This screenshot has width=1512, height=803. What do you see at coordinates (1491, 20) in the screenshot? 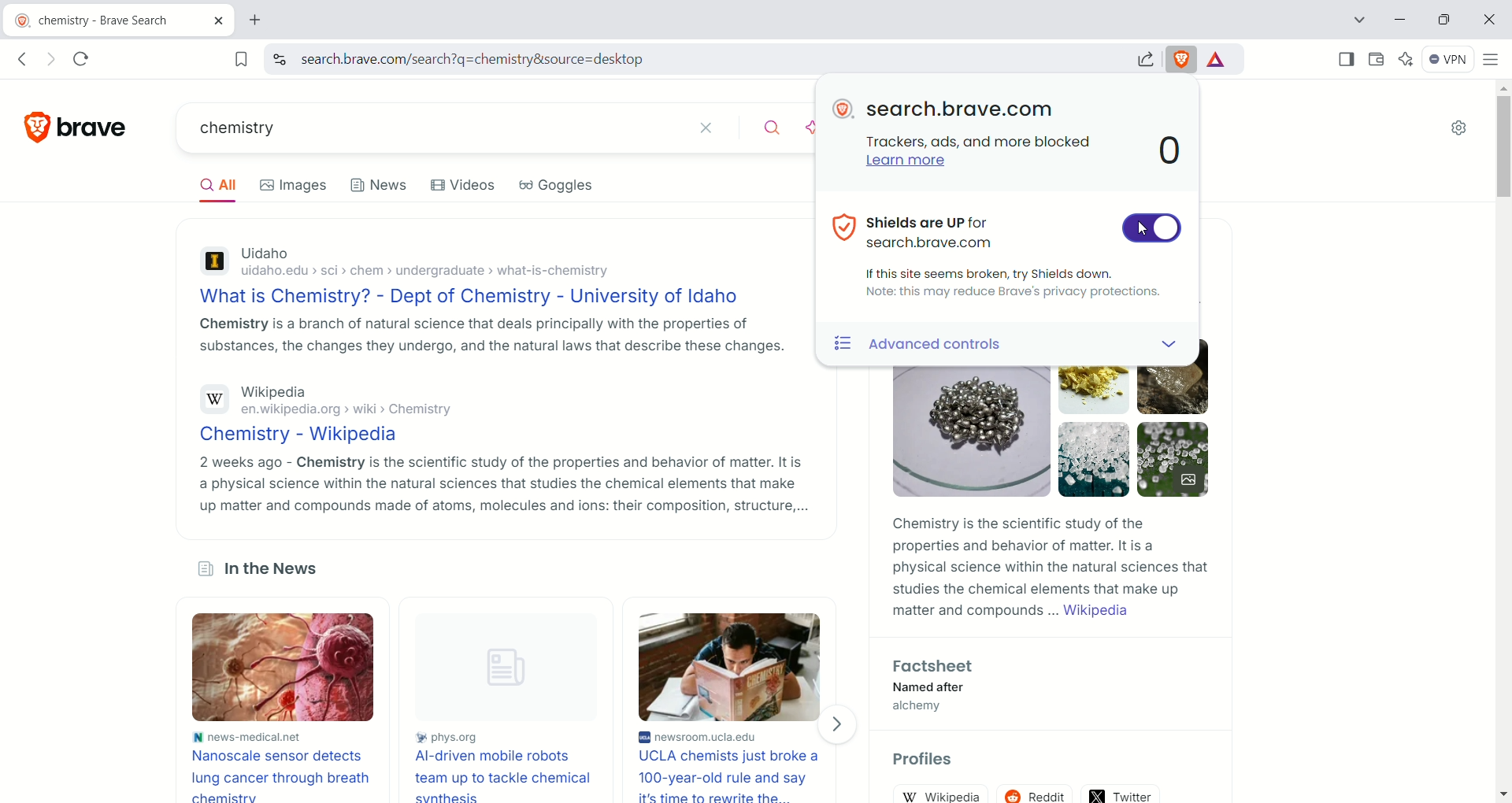
I see `close` at bounding box center [1491, 20].